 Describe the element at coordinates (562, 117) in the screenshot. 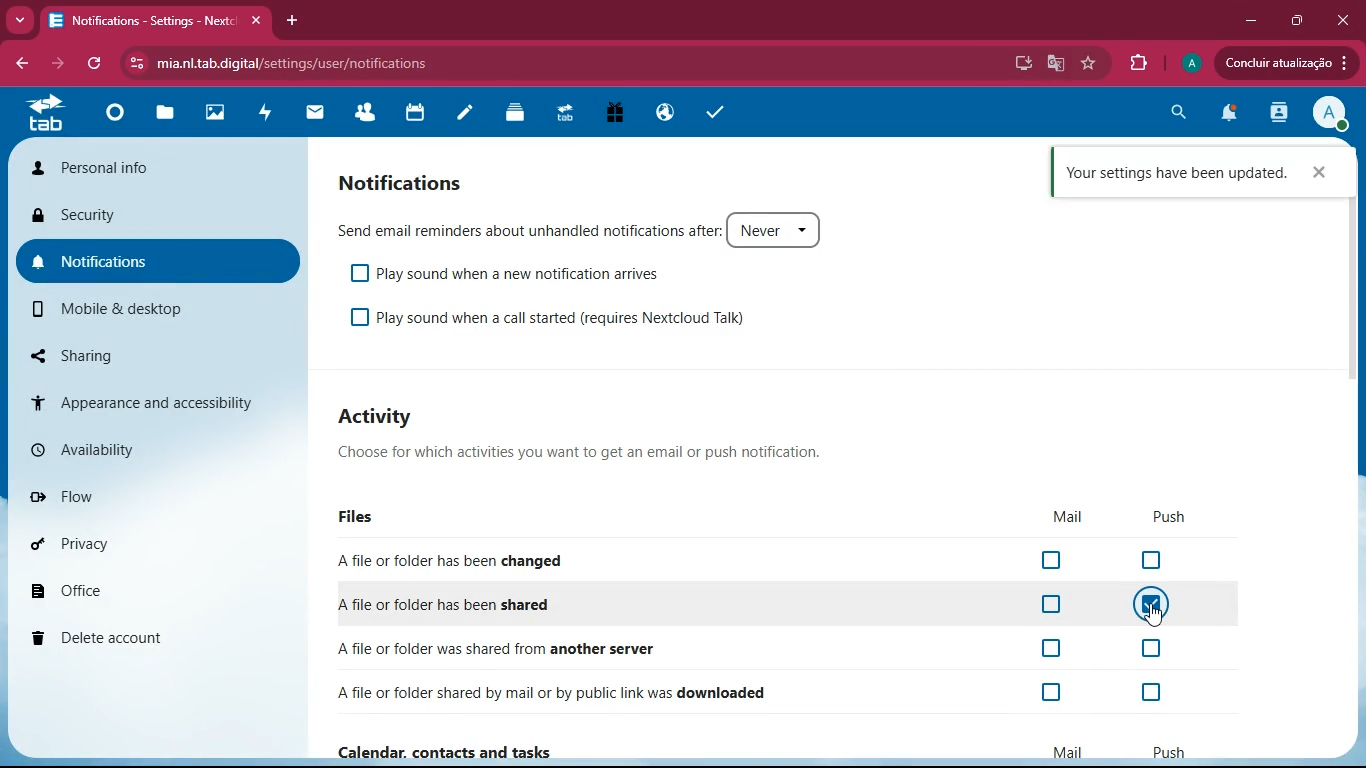

I see `tab` at that location.